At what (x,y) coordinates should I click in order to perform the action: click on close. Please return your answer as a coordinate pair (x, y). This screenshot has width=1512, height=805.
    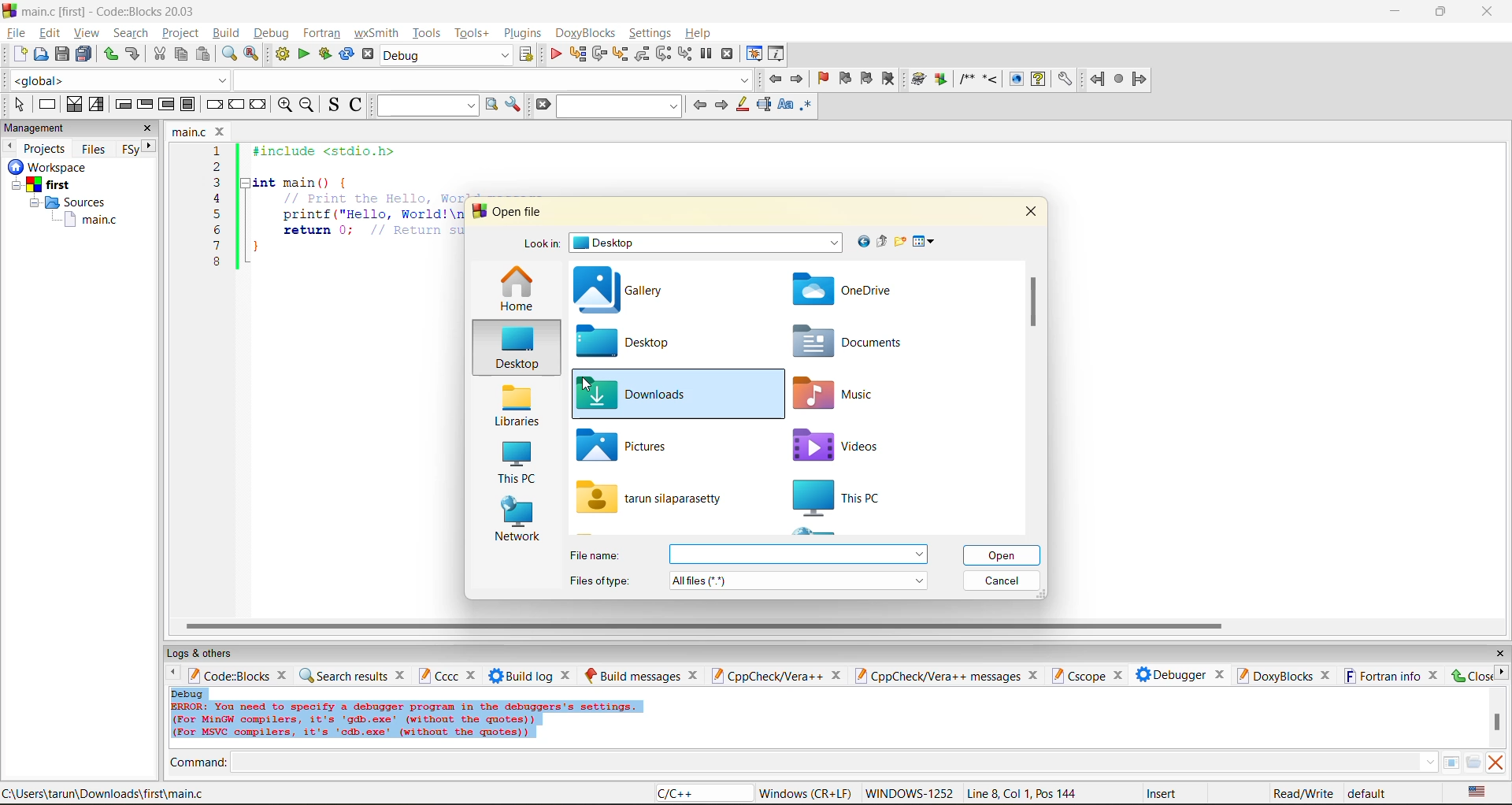
    Looking at the image, I should click on (284, 674).